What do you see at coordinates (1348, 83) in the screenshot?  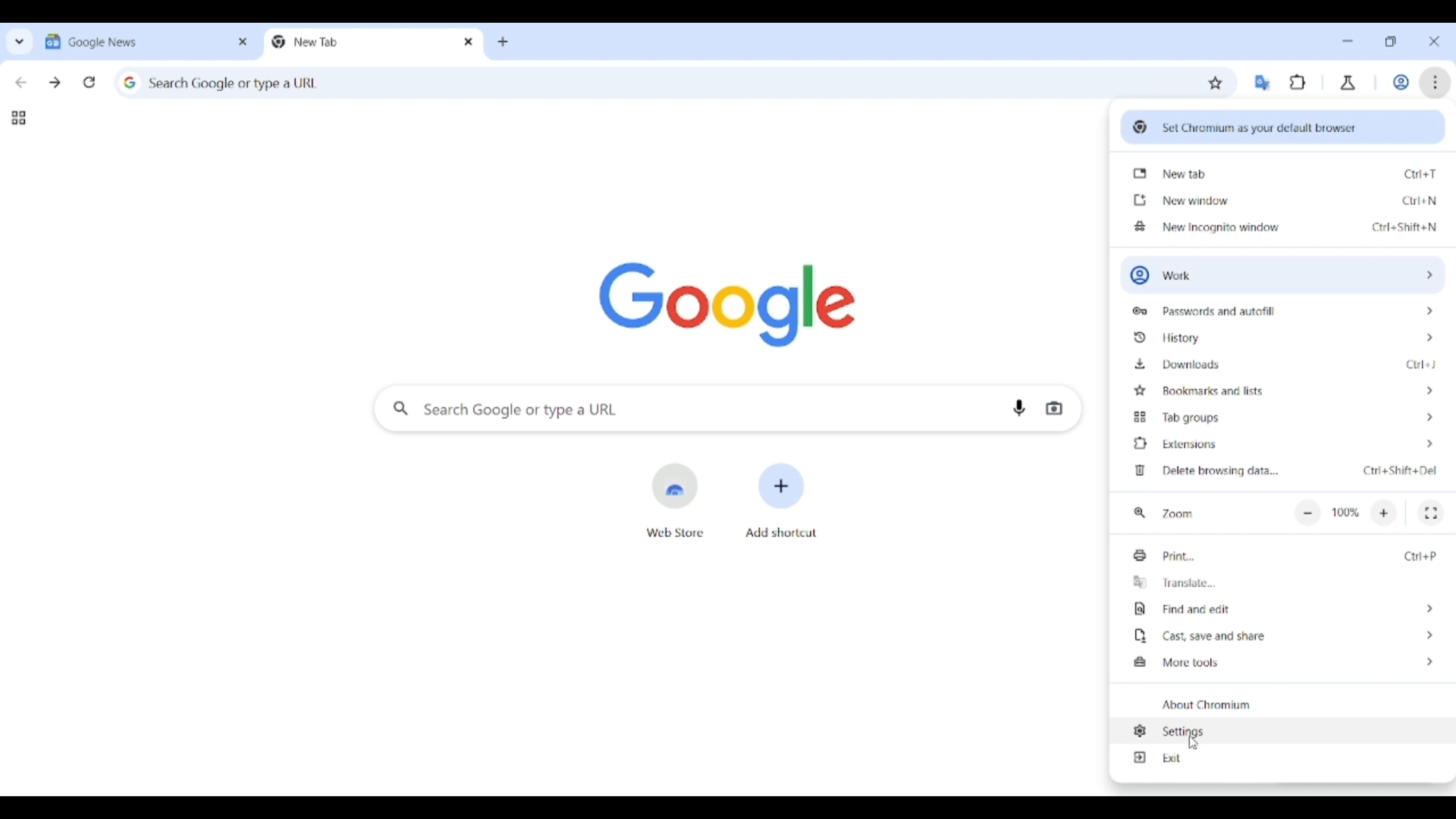 I see `Chrome labs` at bounding box center [1348, 83].